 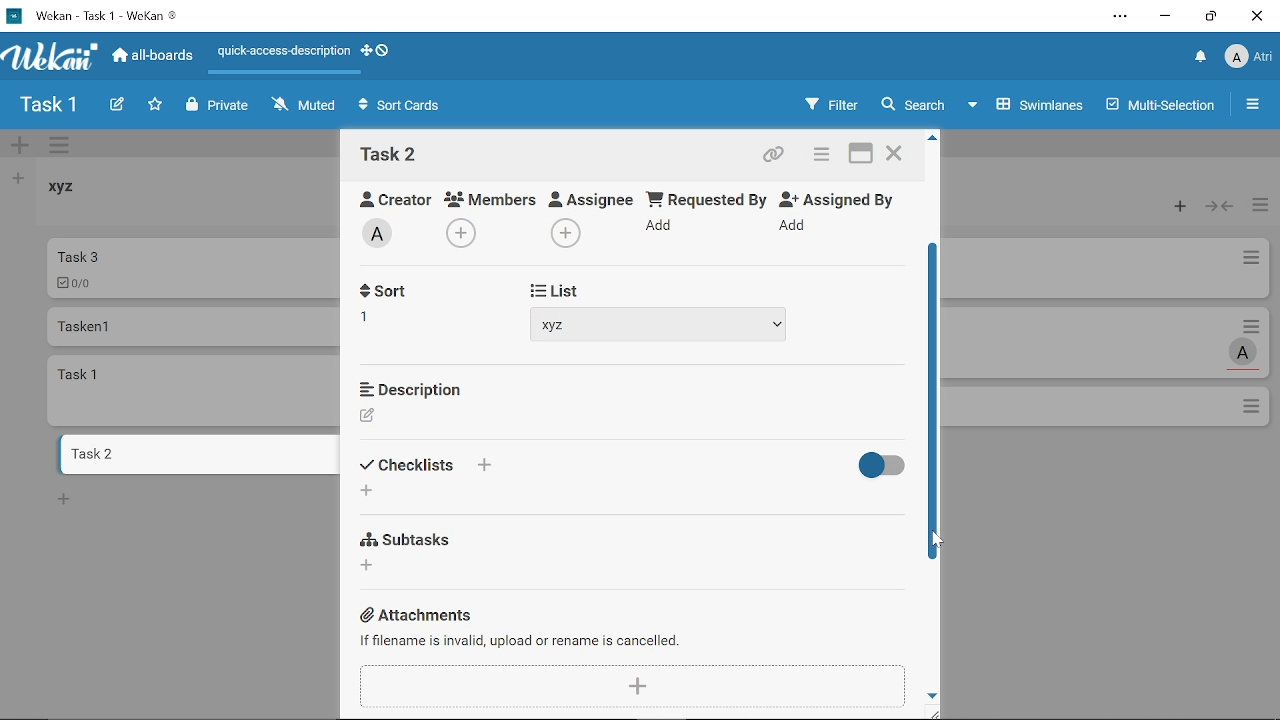 What do you see at coordinates (707, 198) in the screenshot?
I see `Requested By` at bounding box center [707, 198].